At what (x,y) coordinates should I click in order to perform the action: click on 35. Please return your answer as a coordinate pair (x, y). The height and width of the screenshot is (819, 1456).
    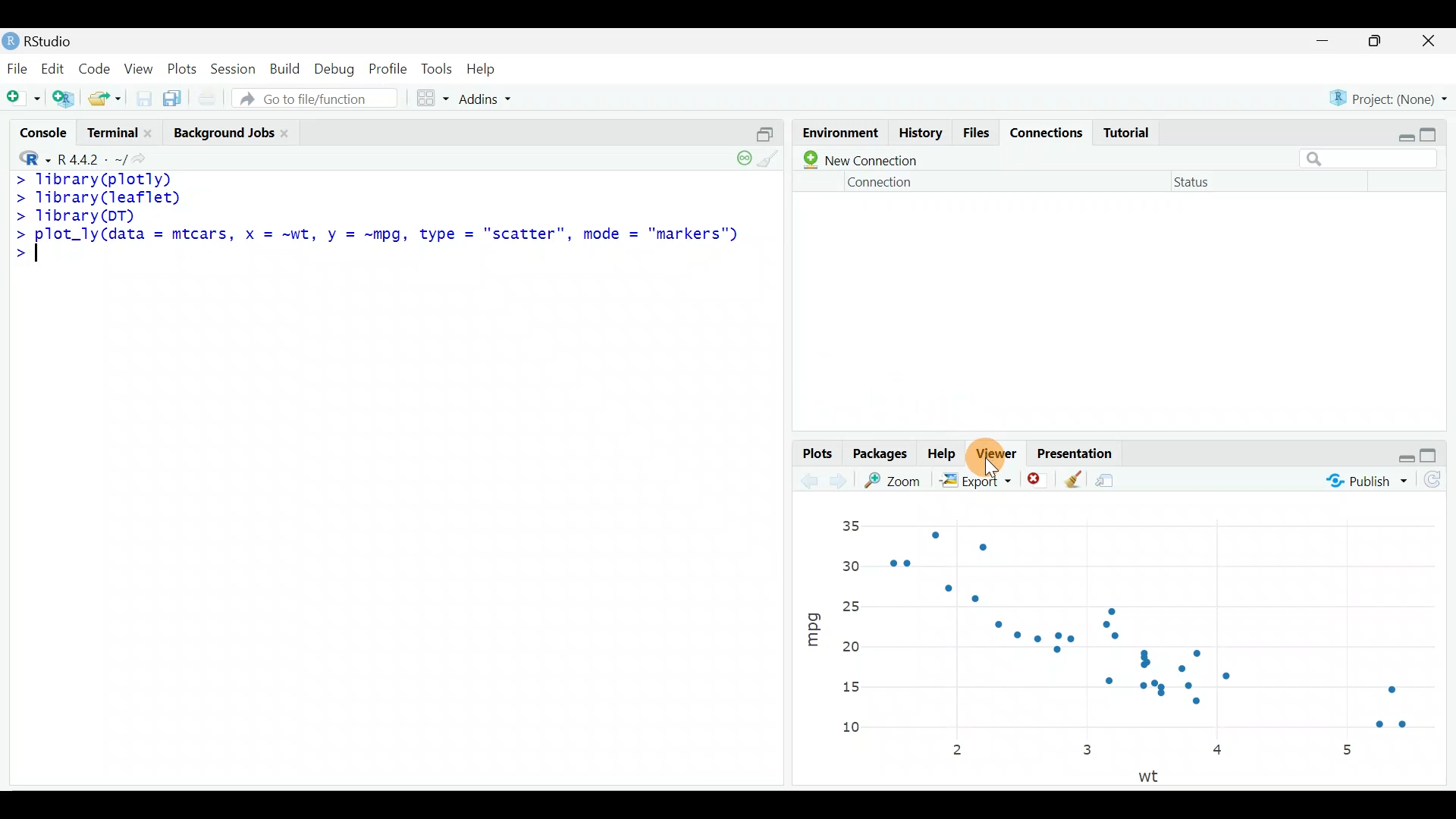
    Looking at the image, I should click on (850, 526).